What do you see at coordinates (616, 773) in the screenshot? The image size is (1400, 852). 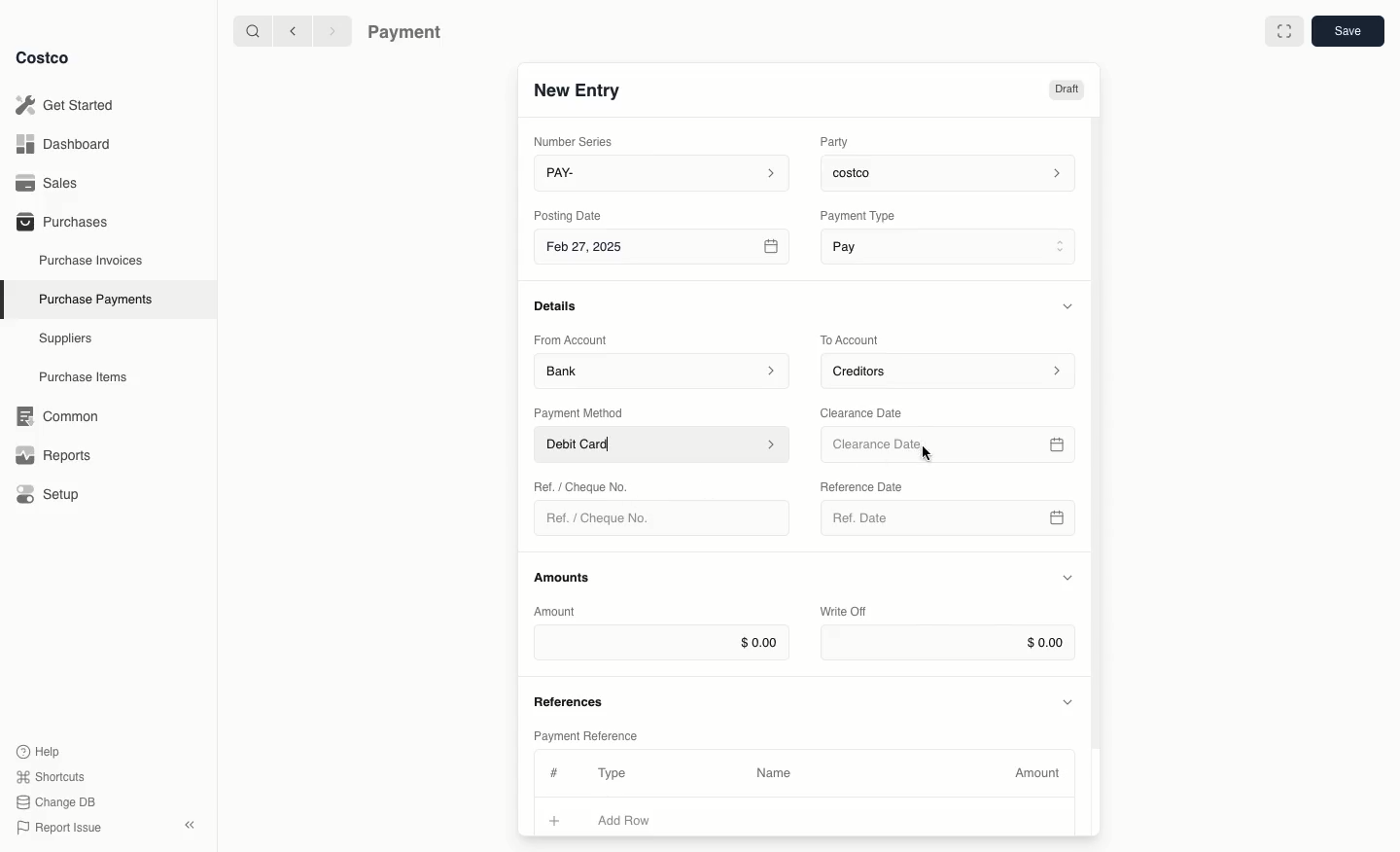 I see `Type` at bounding box center [616, 773].